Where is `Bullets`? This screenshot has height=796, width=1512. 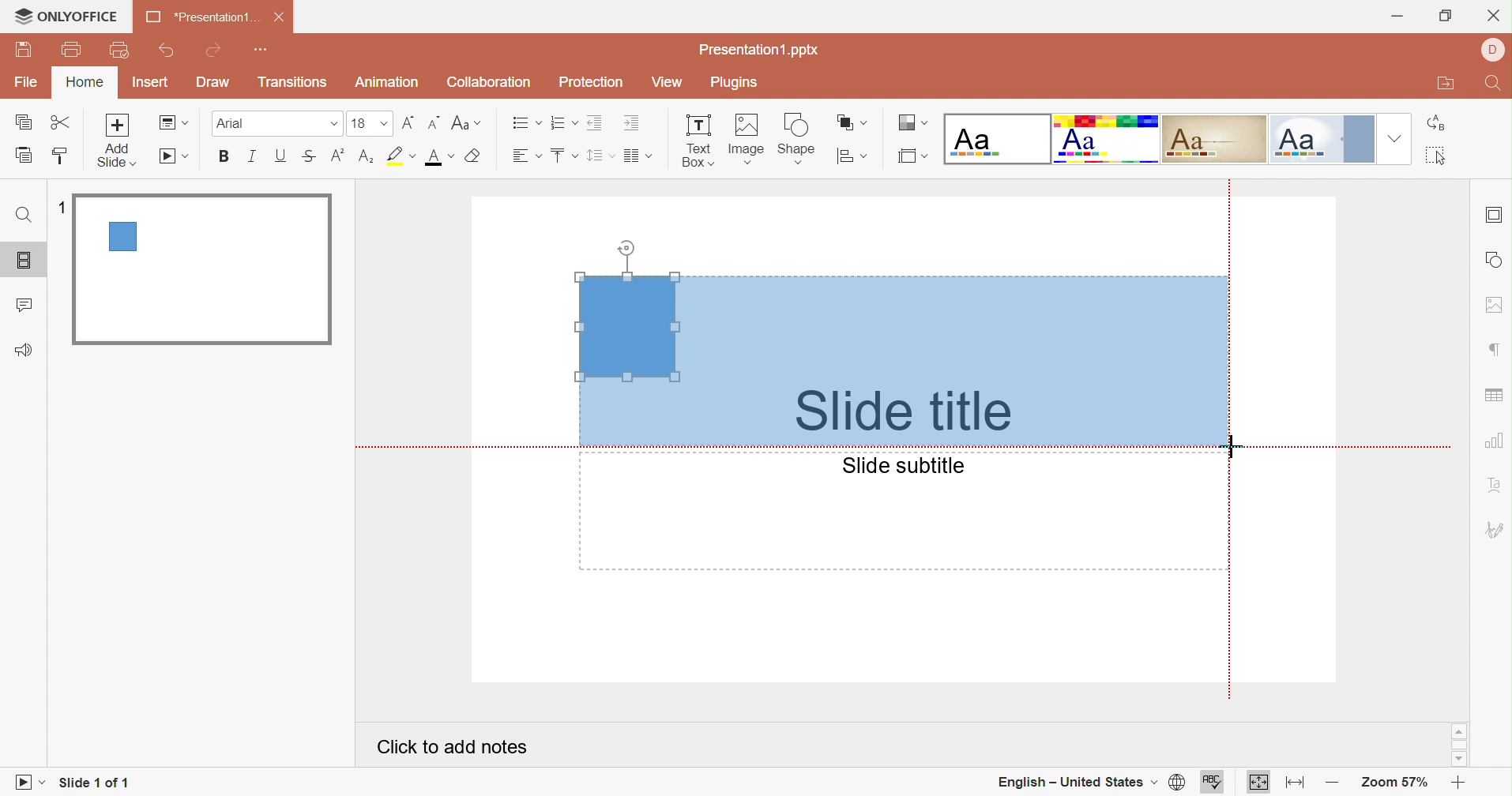 Bullets is located at coordinates (526, 123).